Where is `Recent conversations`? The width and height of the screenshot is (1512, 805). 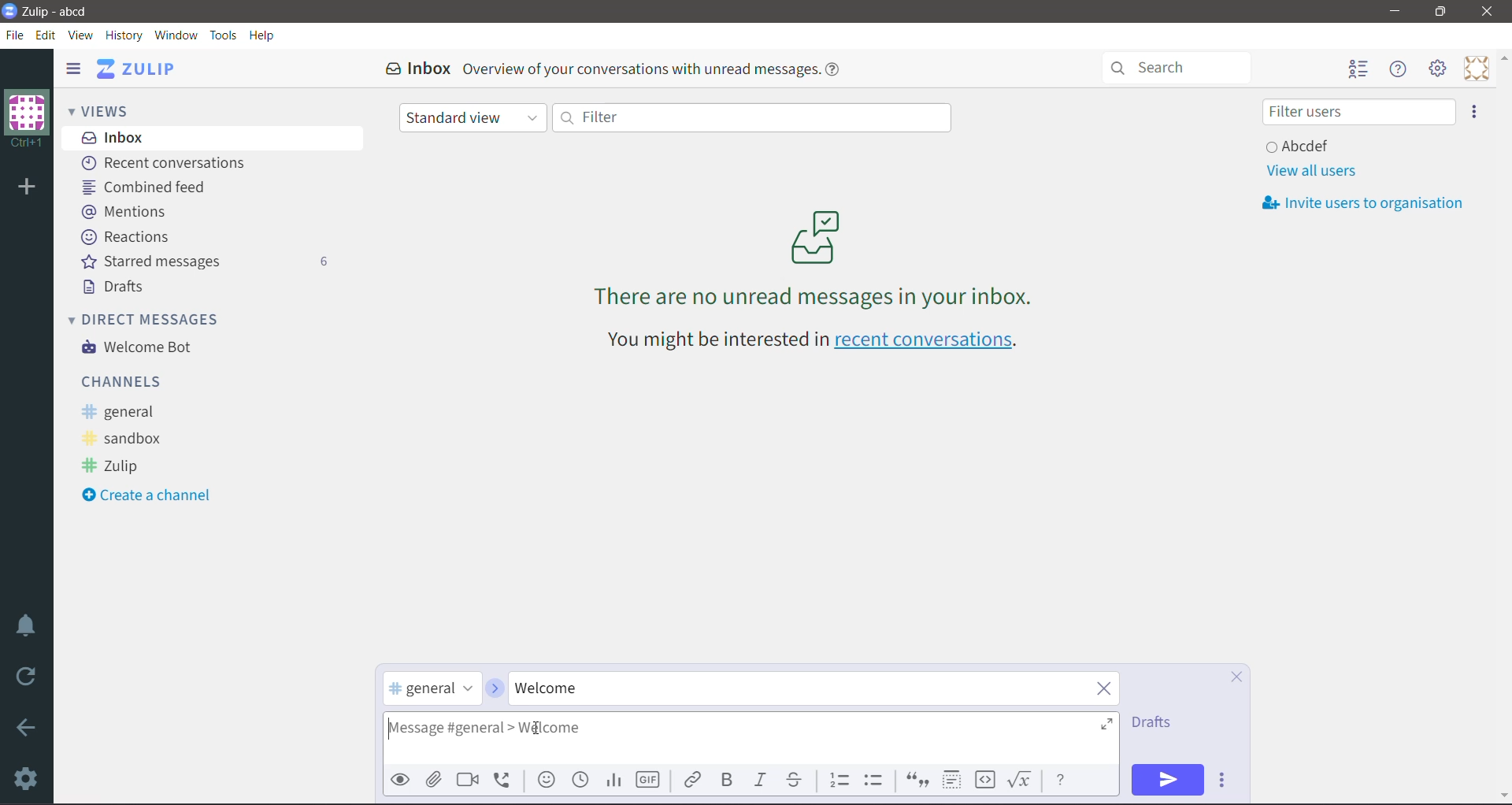
Recent conversations is located at coordinates (169, 164).